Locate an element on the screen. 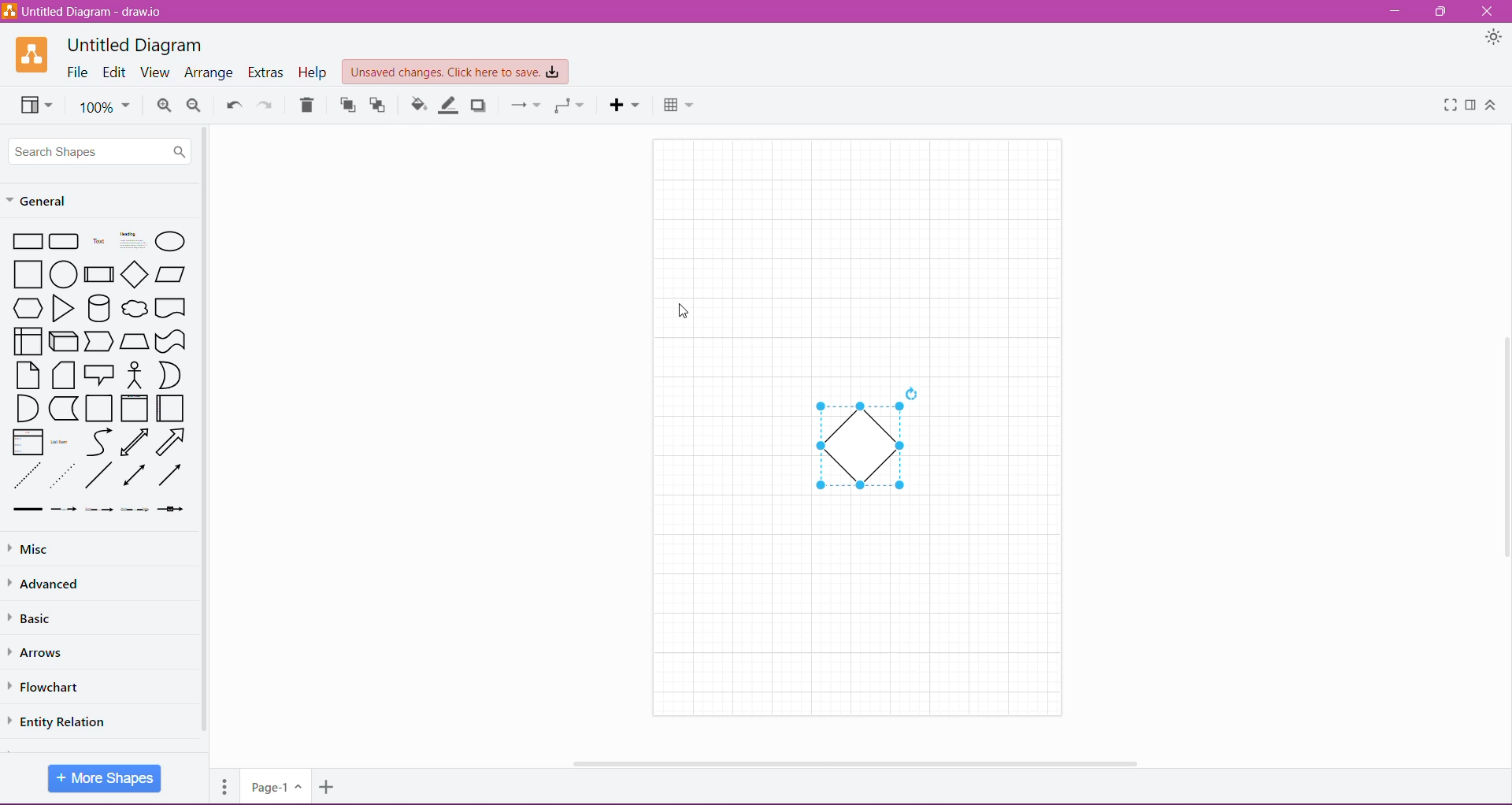  To Front is located at coordinates (347, 106).